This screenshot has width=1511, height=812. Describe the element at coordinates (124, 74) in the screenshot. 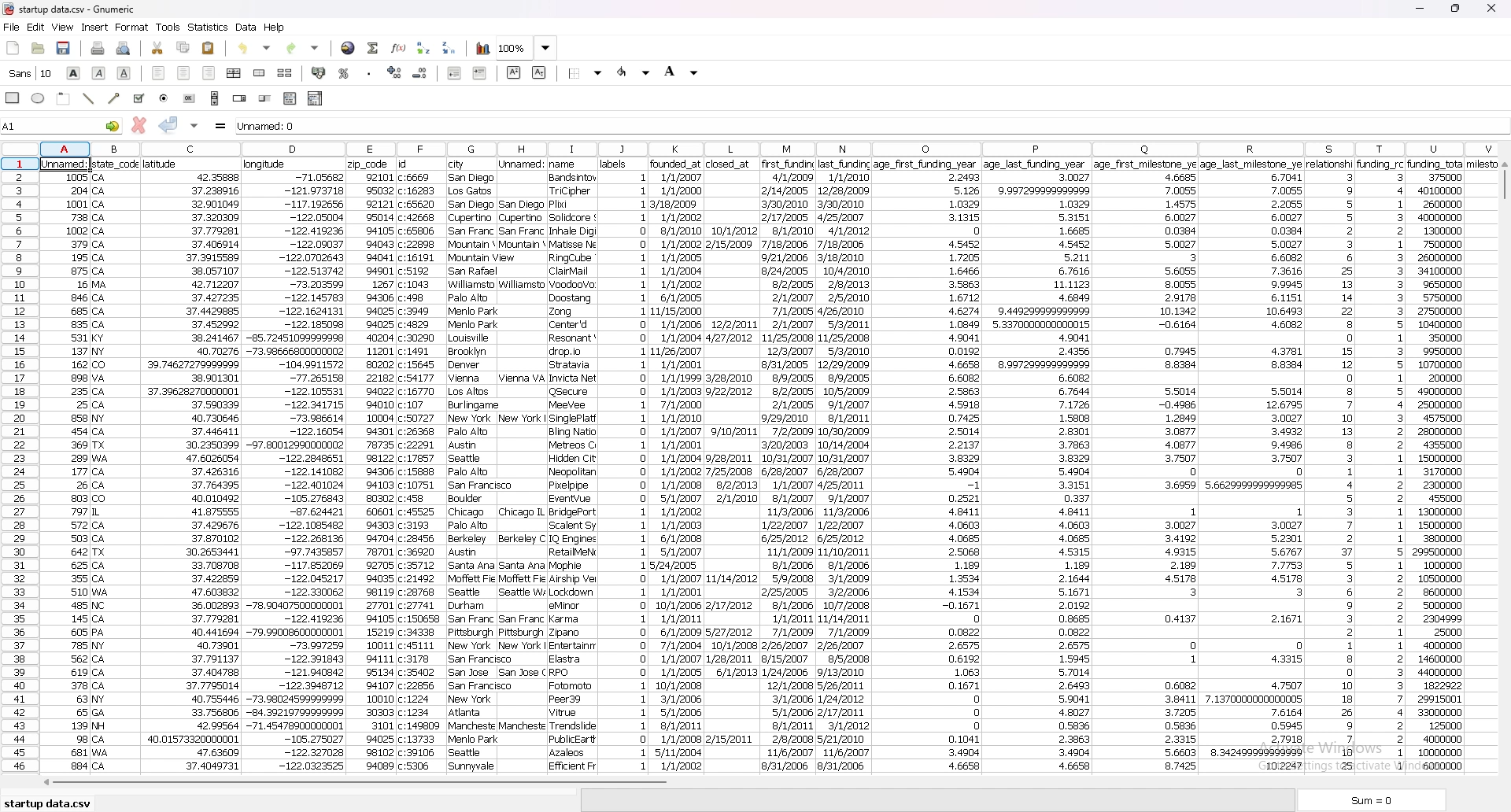

I see `underline` at that location.